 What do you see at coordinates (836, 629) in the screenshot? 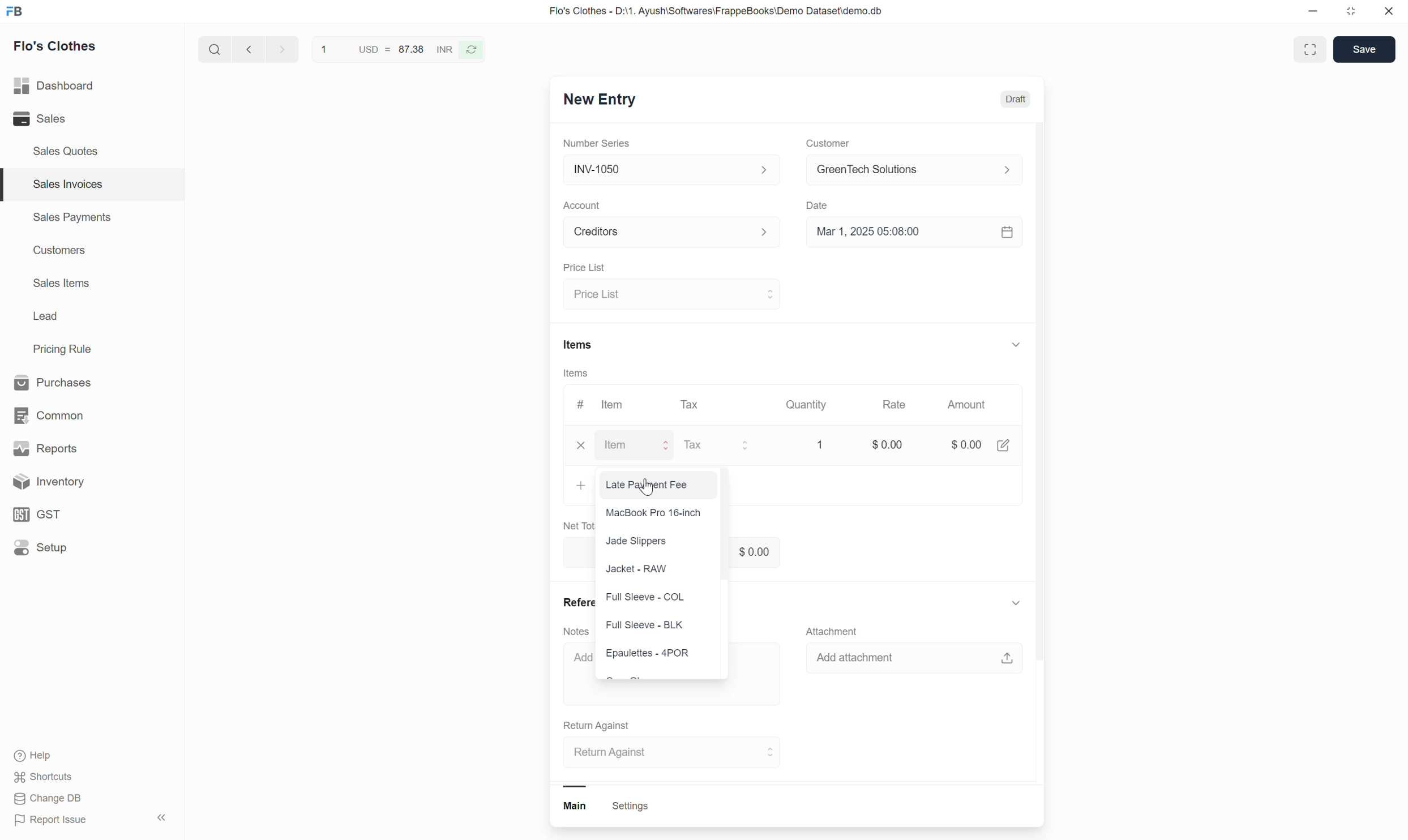
I see `Attachment` at bounding box center [836, 629].